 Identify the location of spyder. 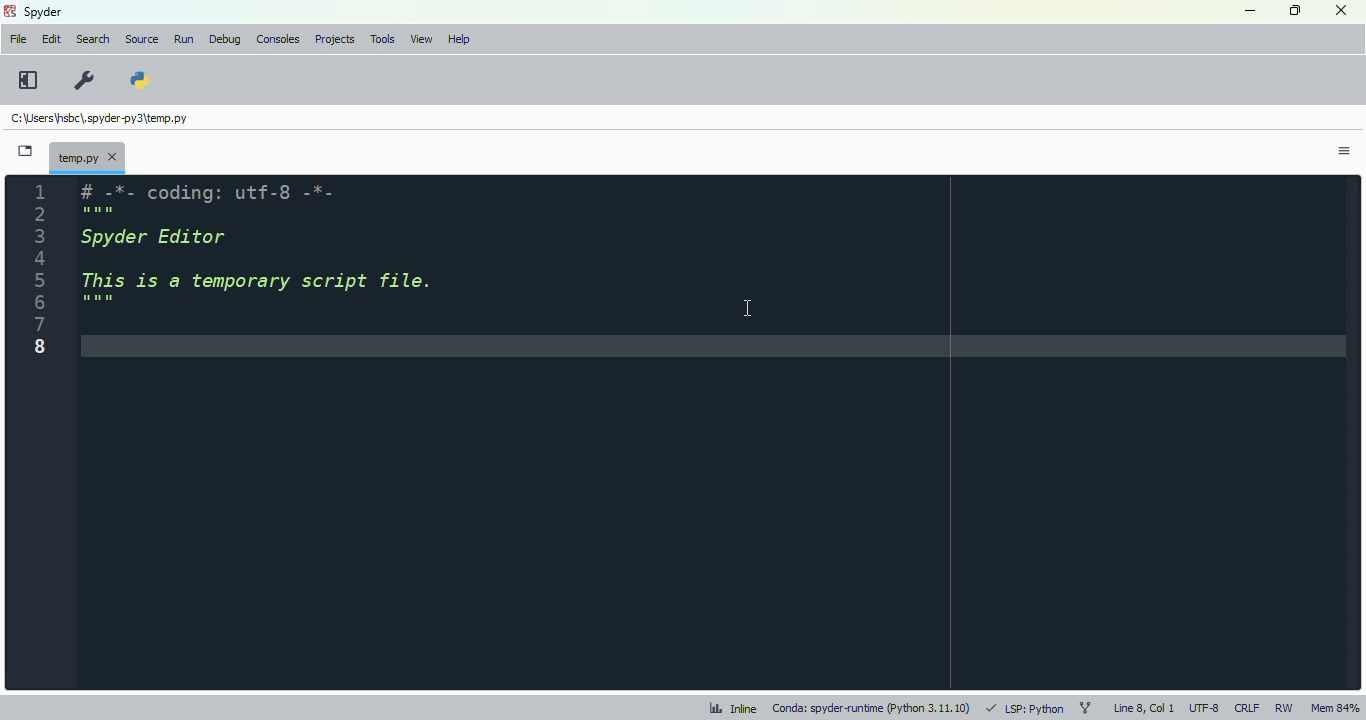
(44, 12).